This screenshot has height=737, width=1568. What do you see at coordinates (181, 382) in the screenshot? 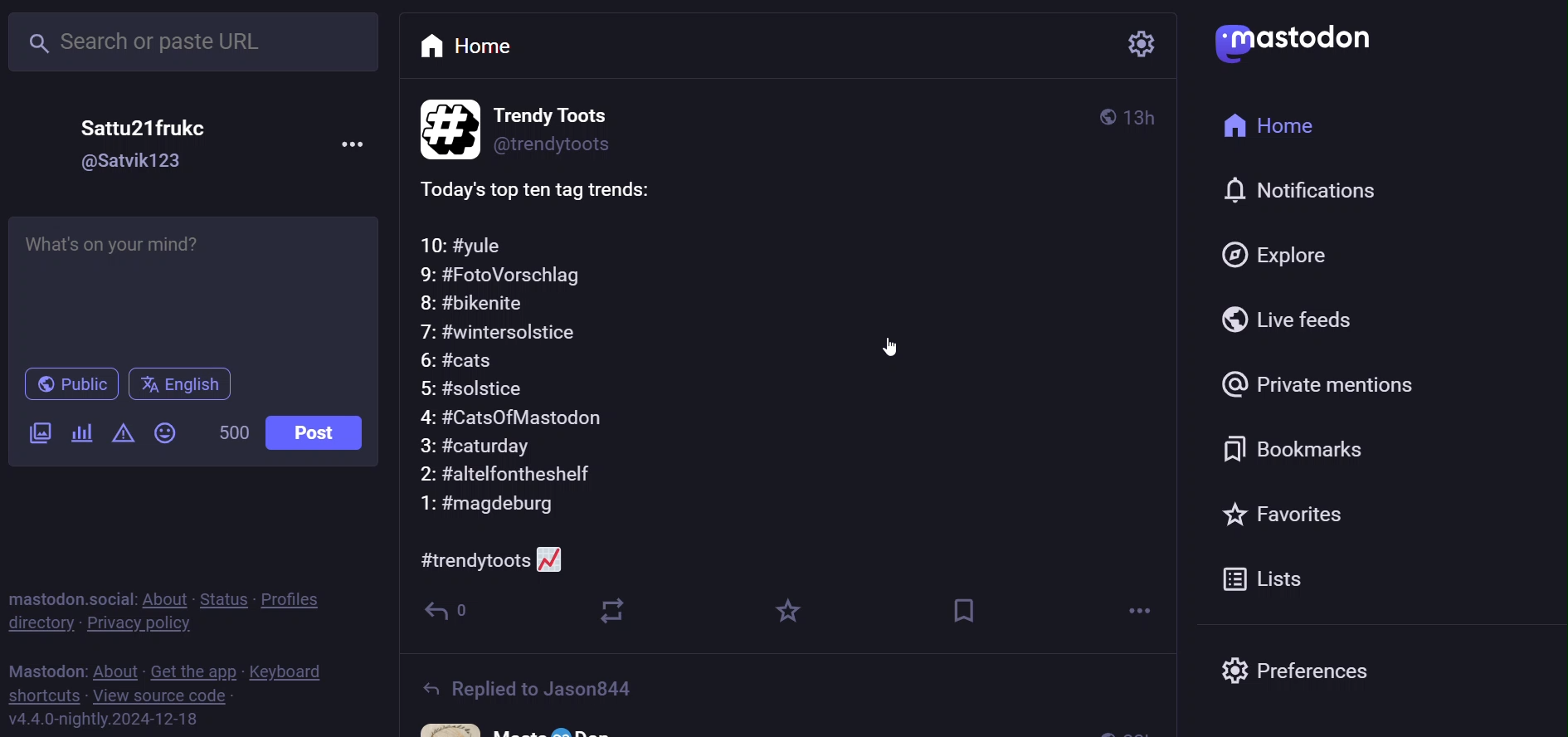
I see `english` at bounding box center [181, 382].